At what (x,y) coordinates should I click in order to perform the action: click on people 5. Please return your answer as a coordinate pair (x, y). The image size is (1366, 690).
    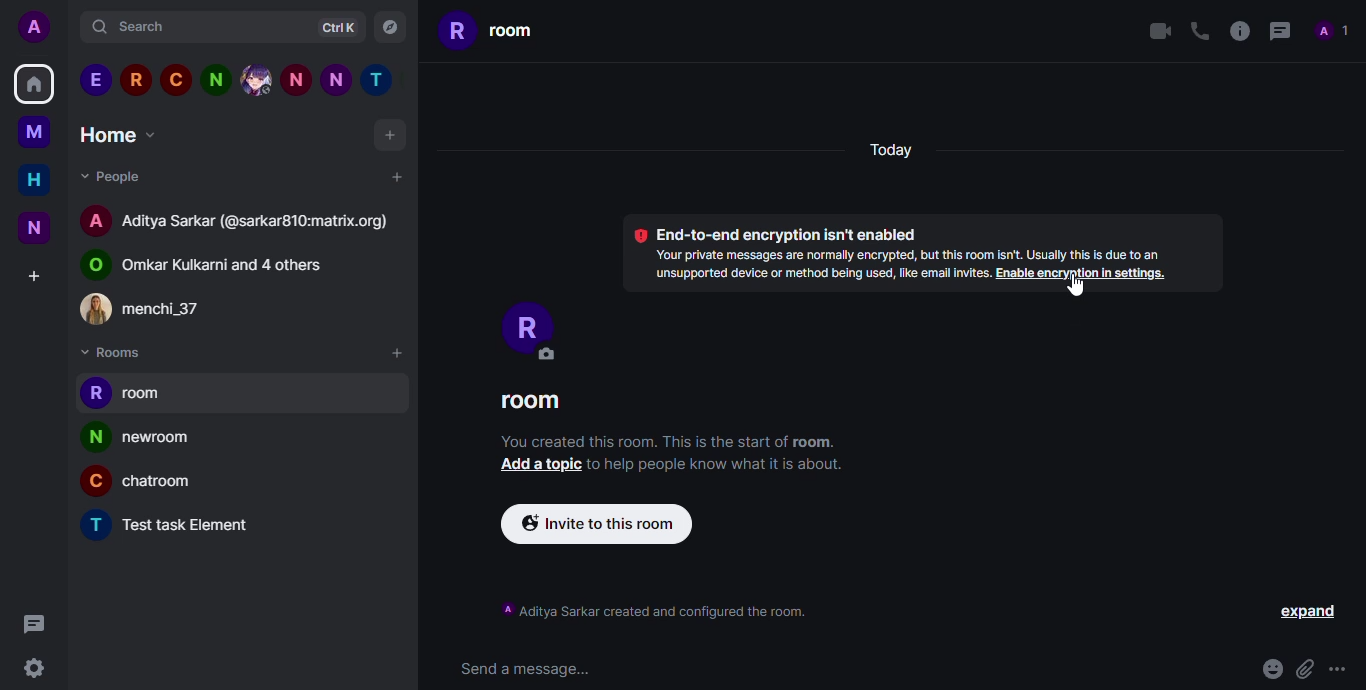
    Looking at the image, I should click on (256, 79).